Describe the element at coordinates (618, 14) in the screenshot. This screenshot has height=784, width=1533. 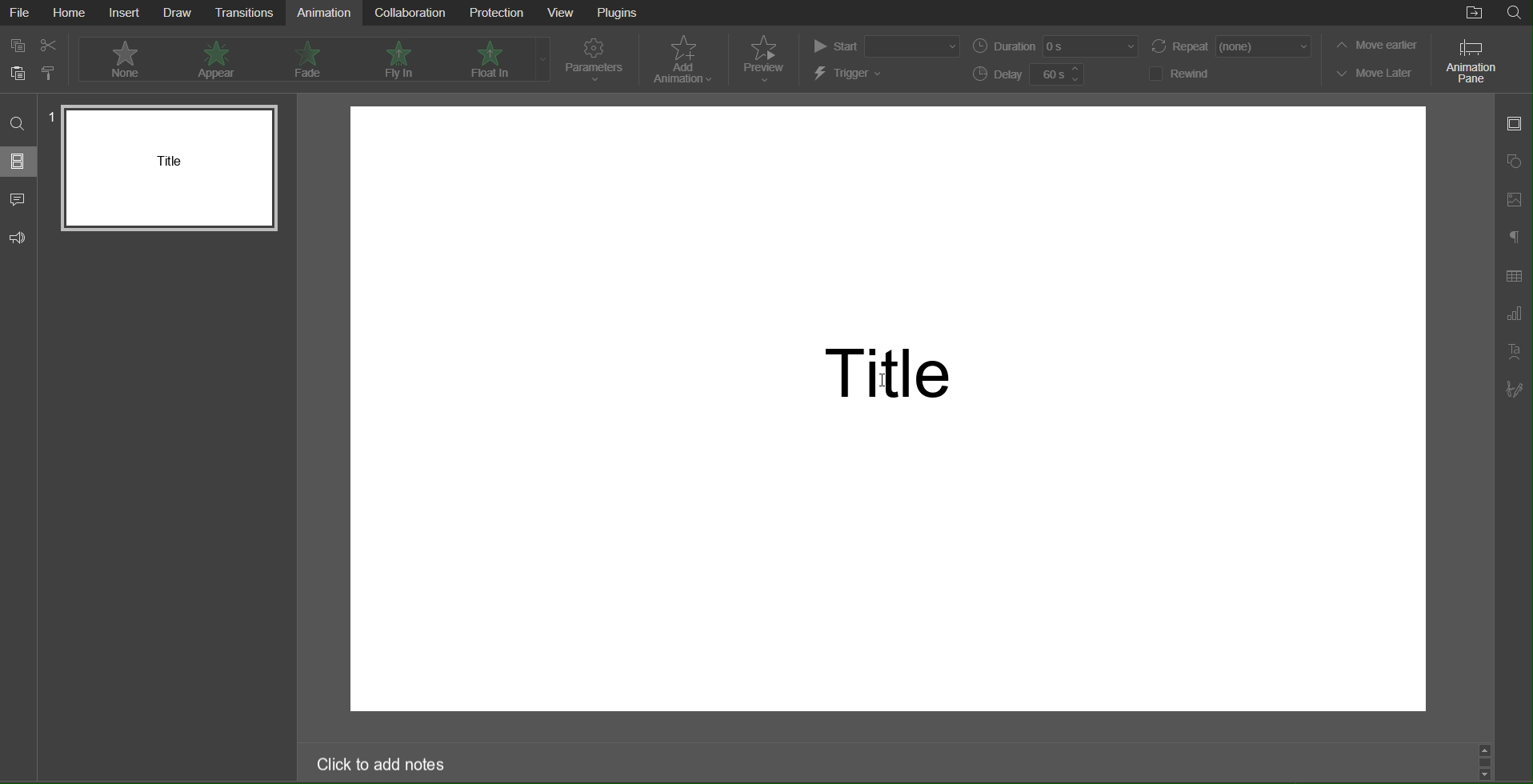
I see `Plugins` at that location.